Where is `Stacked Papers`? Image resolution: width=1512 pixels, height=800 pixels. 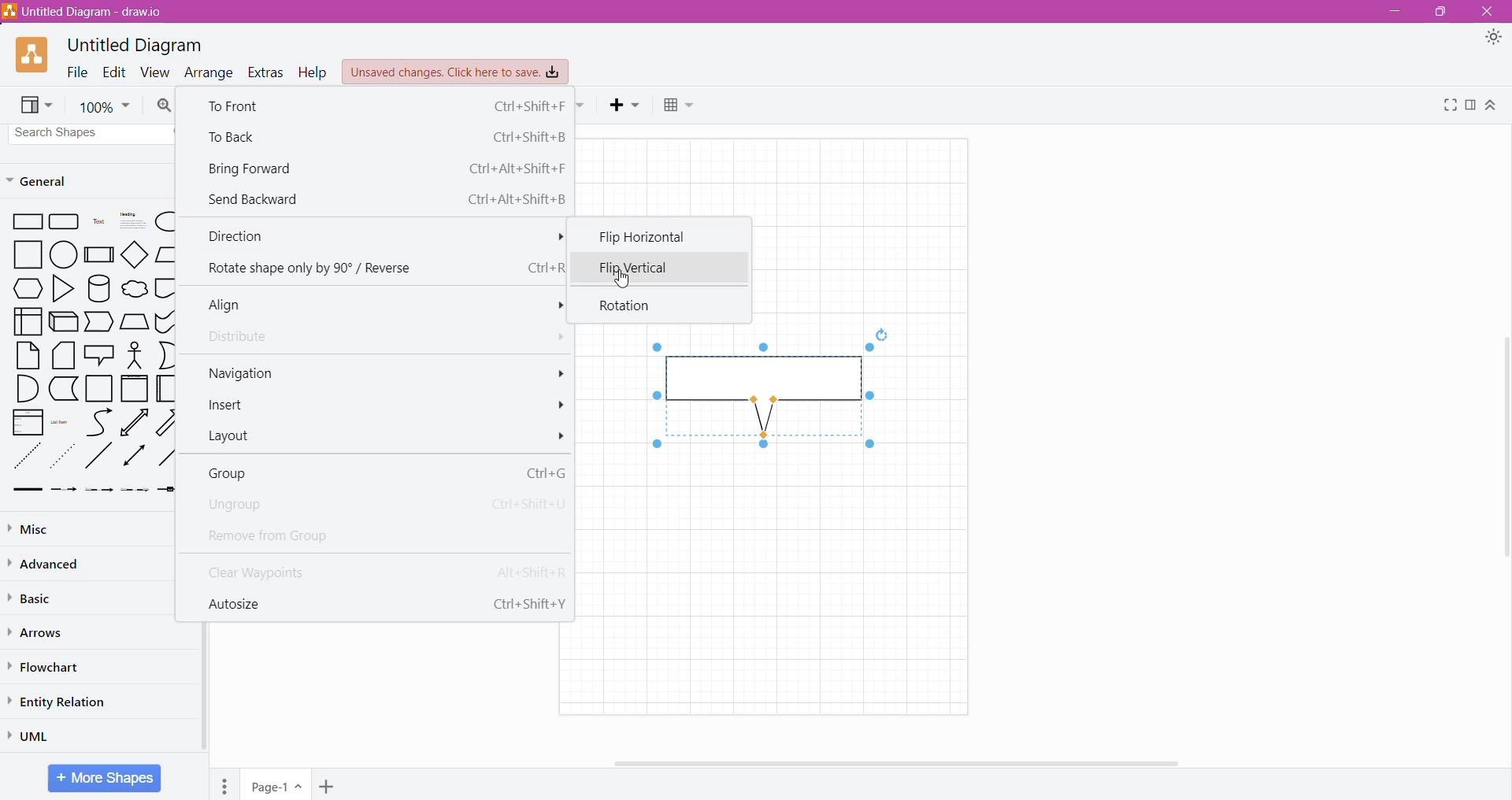 Stacked Papers is located at coordinates (64, 356).